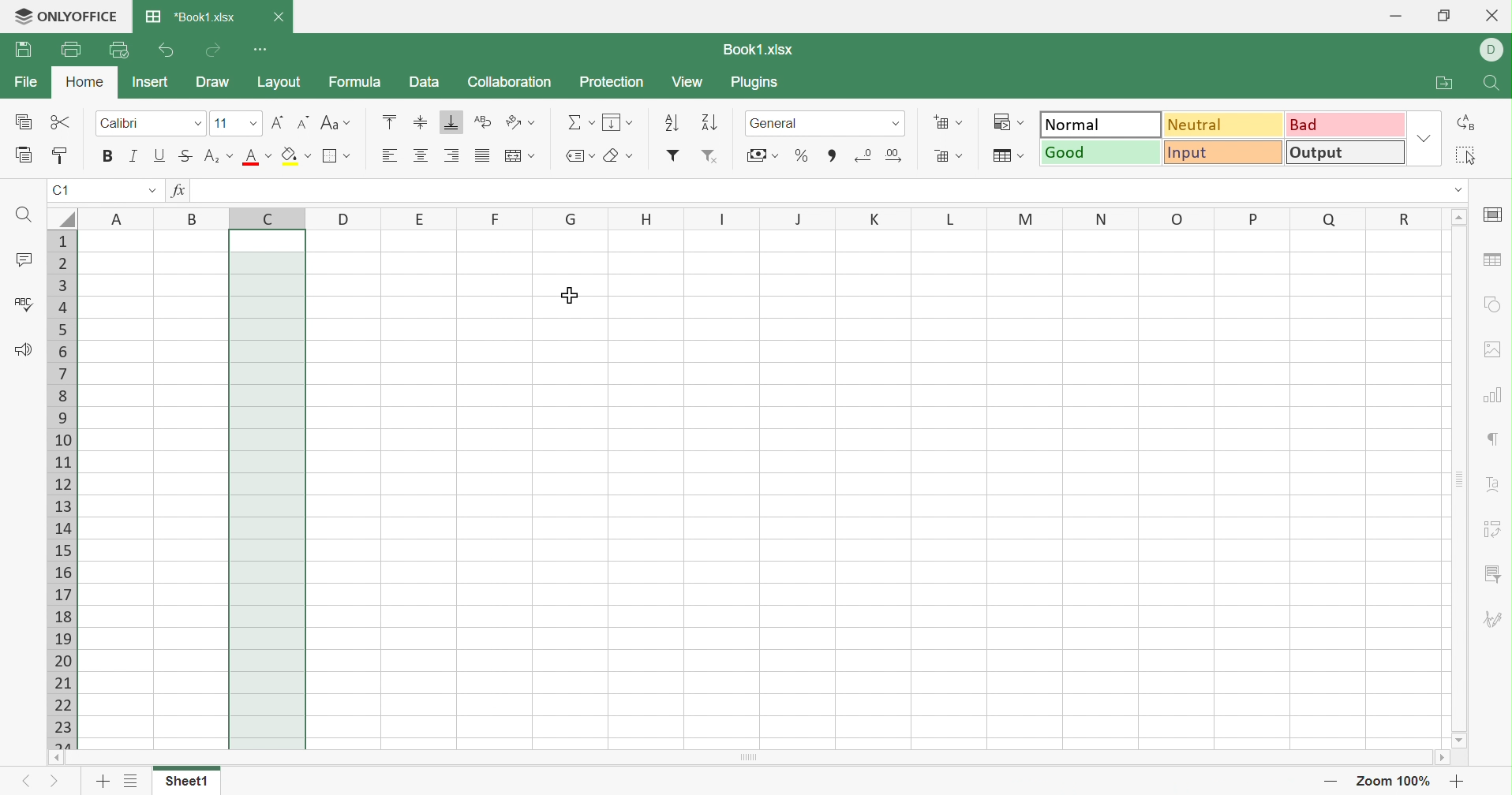 Image resolution: width=1512 pixels, height=795 pixels. Describe the element at coordinates (1462, 481) in the screenshot. I see `Scroll Bar` at that location.